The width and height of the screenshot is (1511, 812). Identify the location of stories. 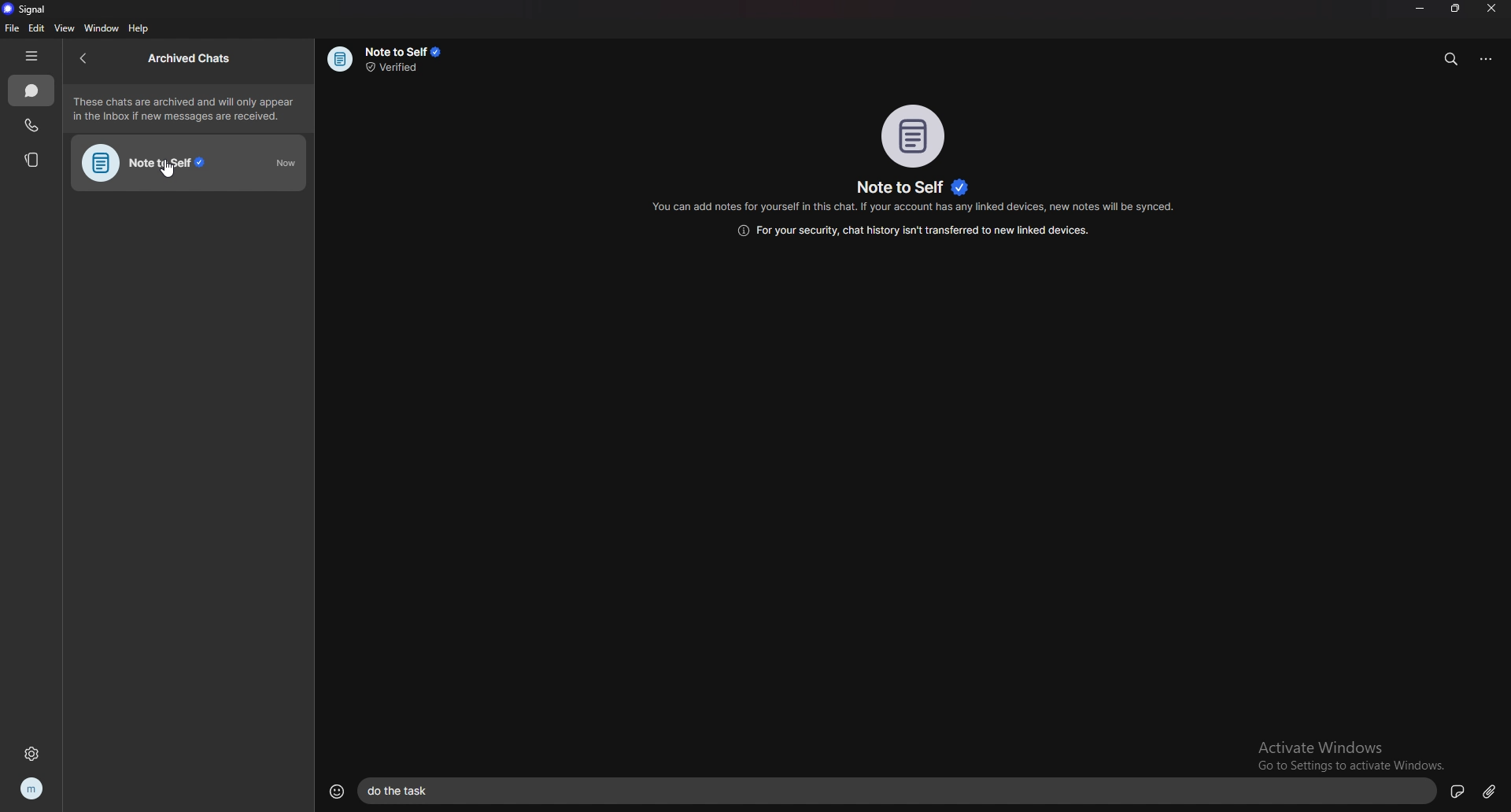
(31, 159).